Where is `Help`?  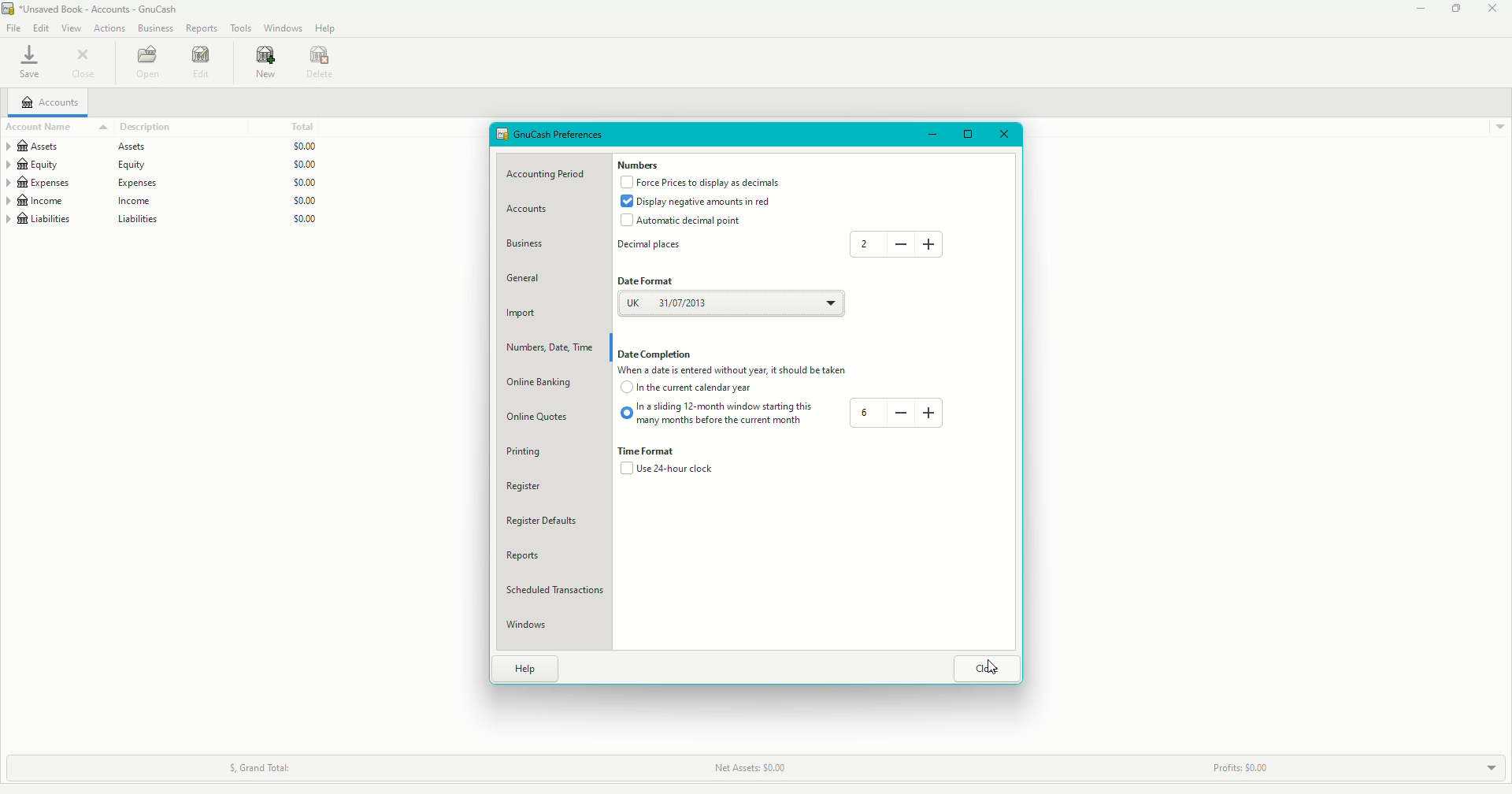
Help is located at coordinates (327, 28).